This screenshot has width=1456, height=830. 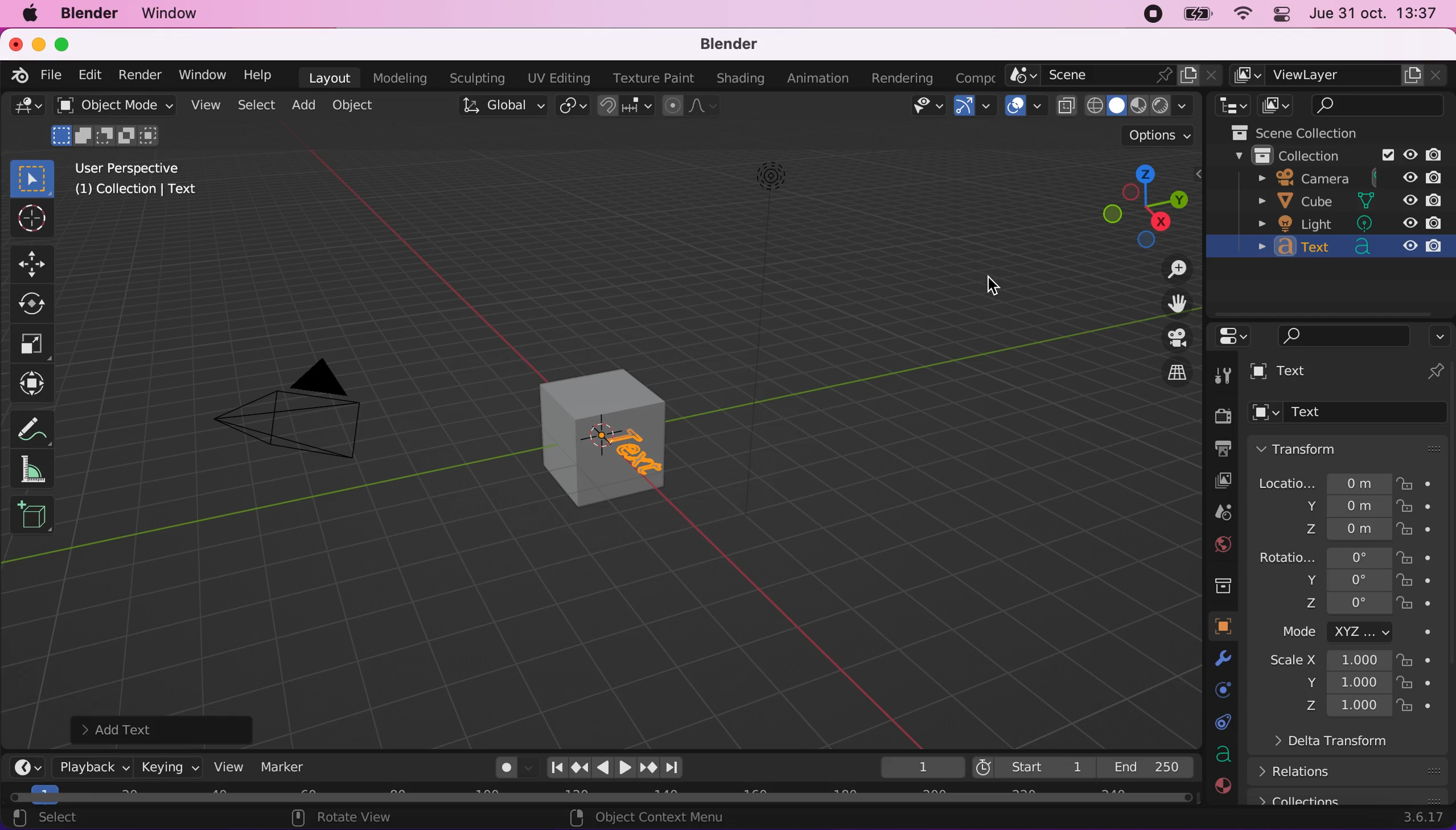 I want to click on add cube, so click(x=34, y=521).